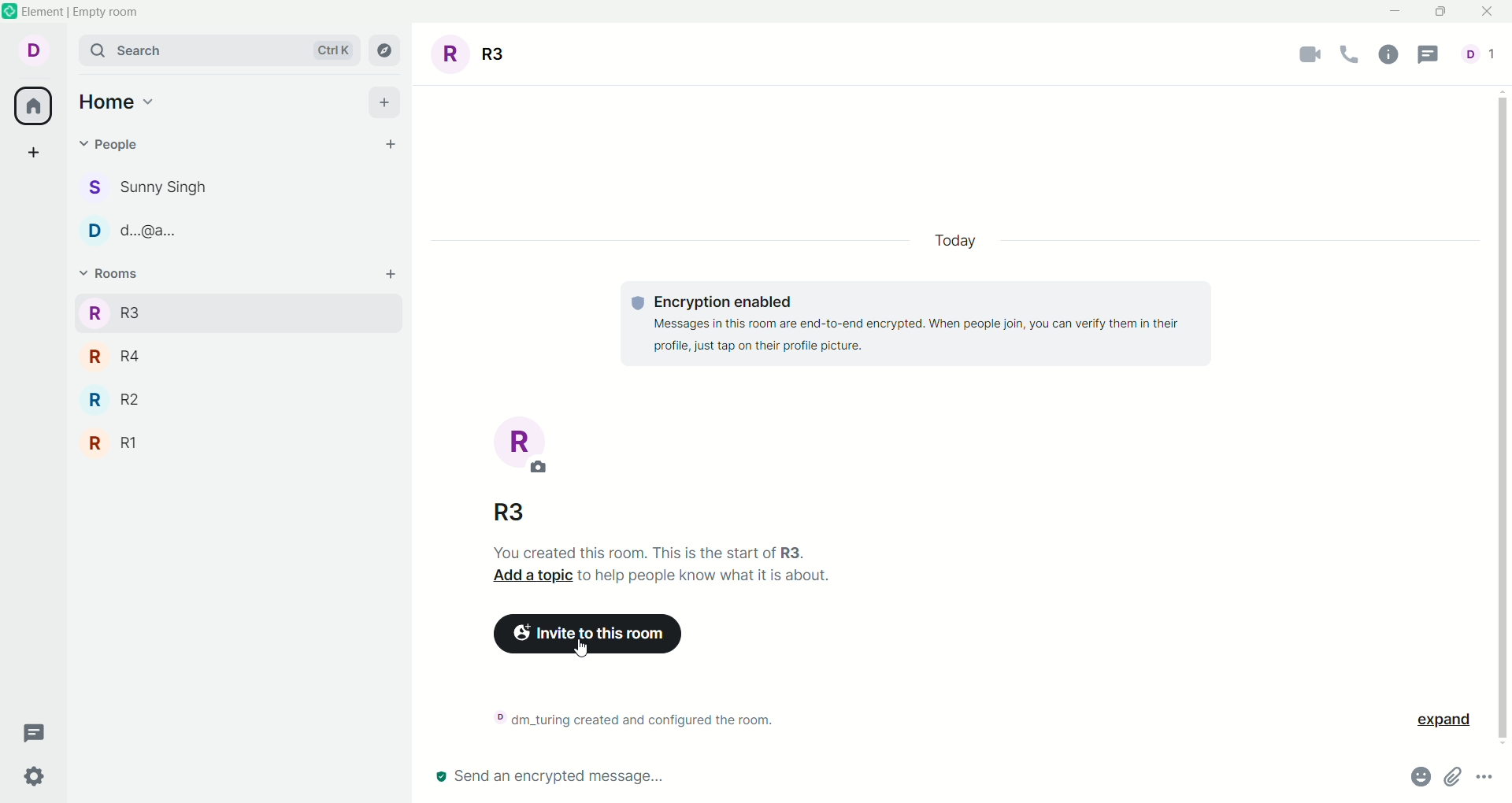  What do you see at coordinates (1443, 13) in the screenshot?
I see `maximize` at bounding box center [1443, 13].